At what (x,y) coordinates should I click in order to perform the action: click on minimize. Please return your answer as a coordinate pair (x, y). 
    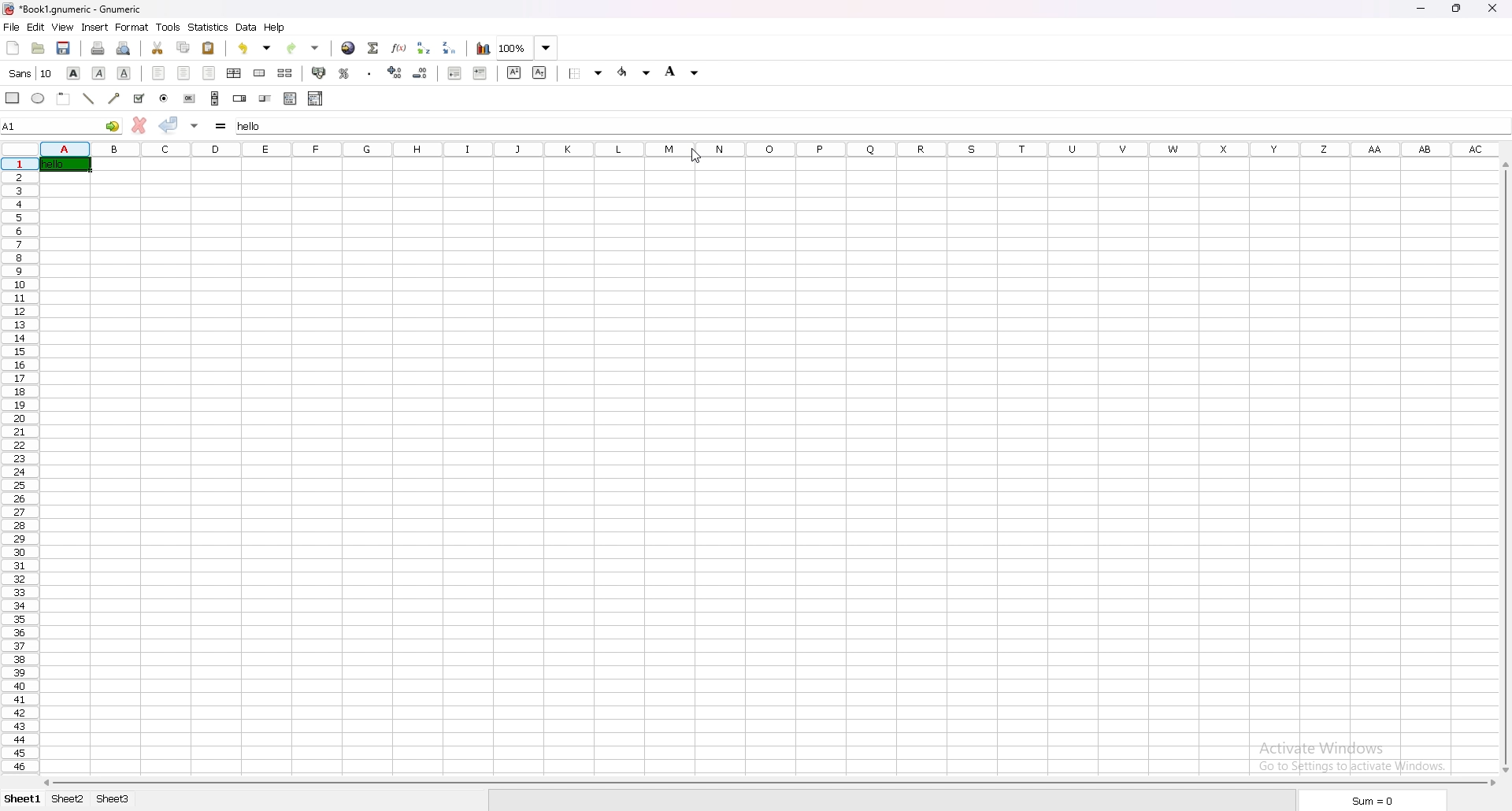
    Looking at the image, I should click on (1420, 8).